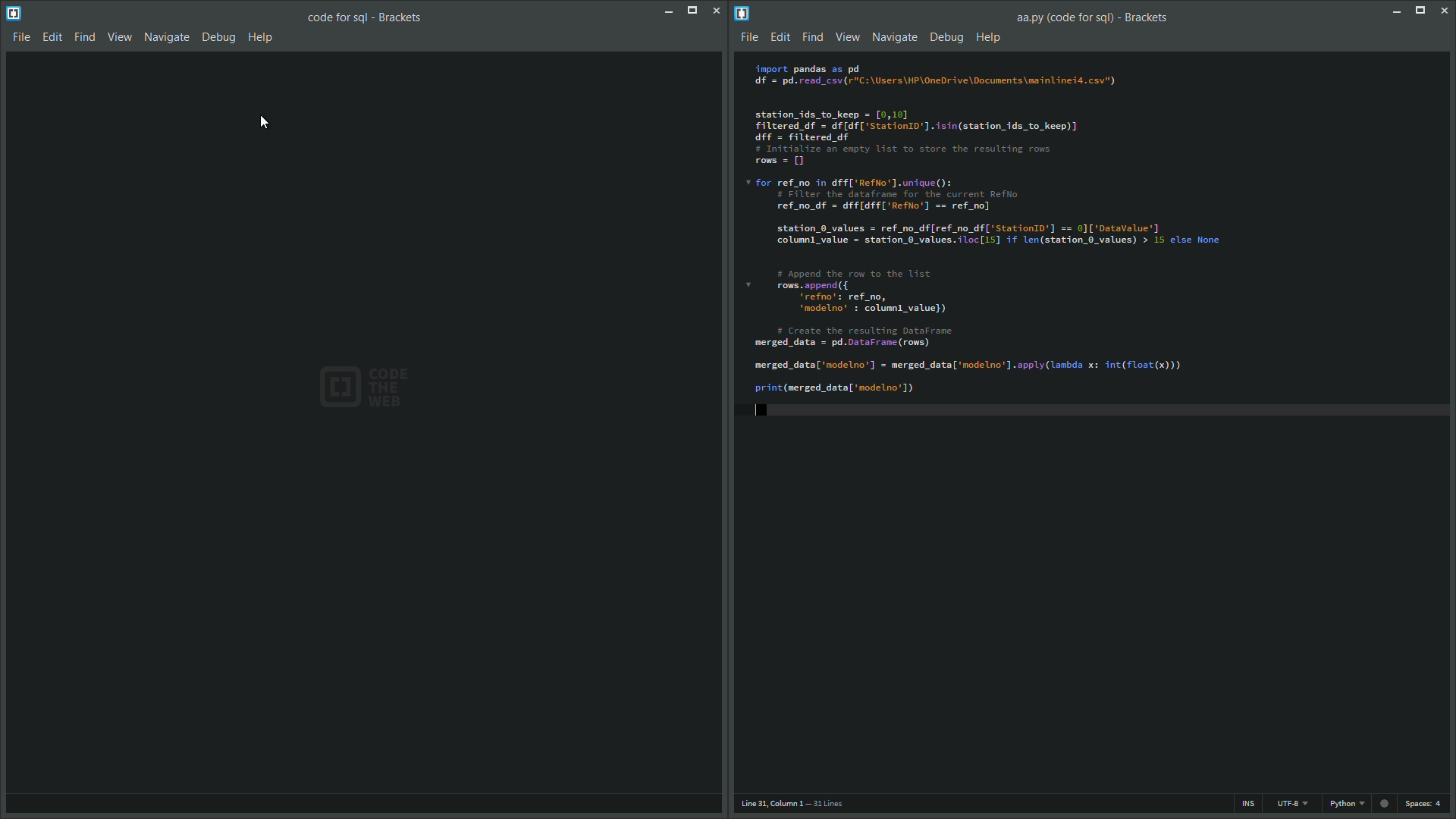  Describe the element at coordinates (798, 805) in the screenshot. I see `line` at that location.